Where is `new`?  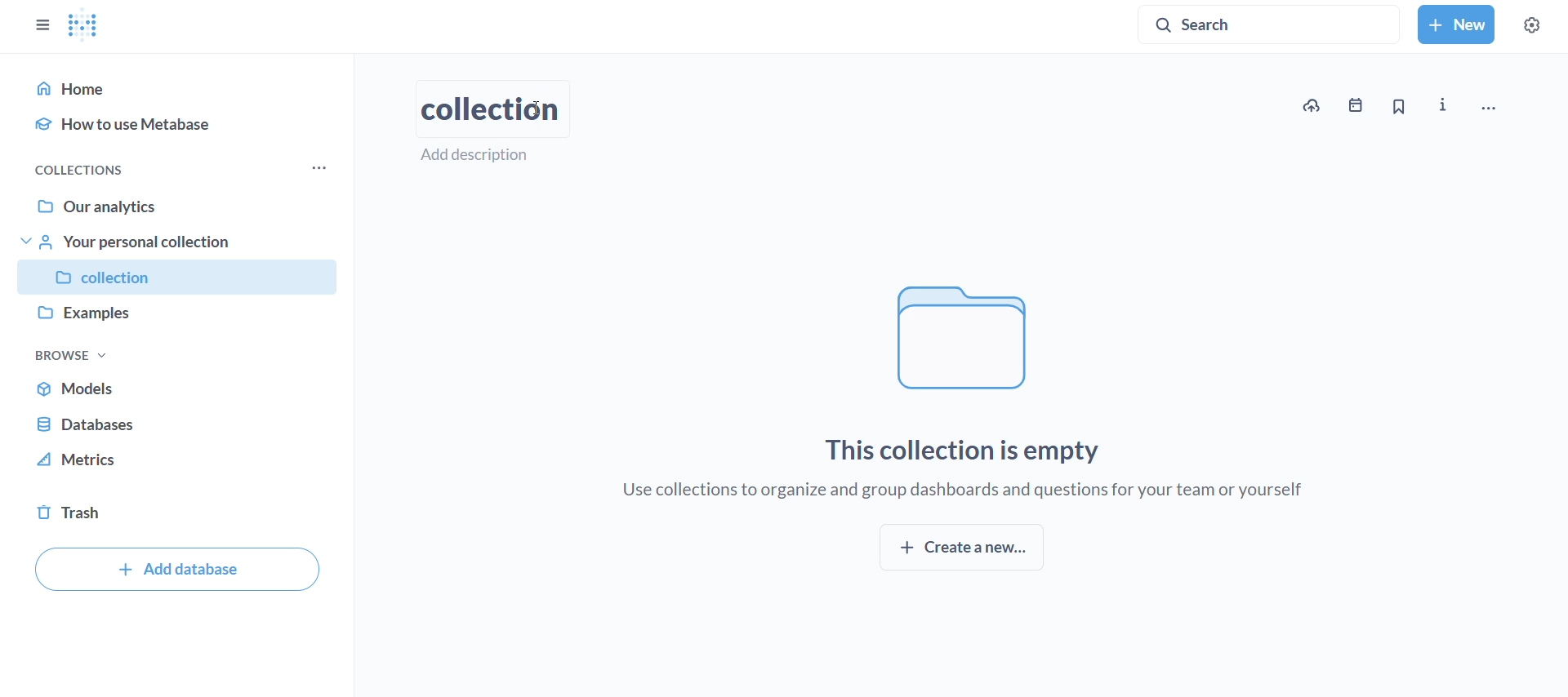
new is located at coordinates (1456, 24).